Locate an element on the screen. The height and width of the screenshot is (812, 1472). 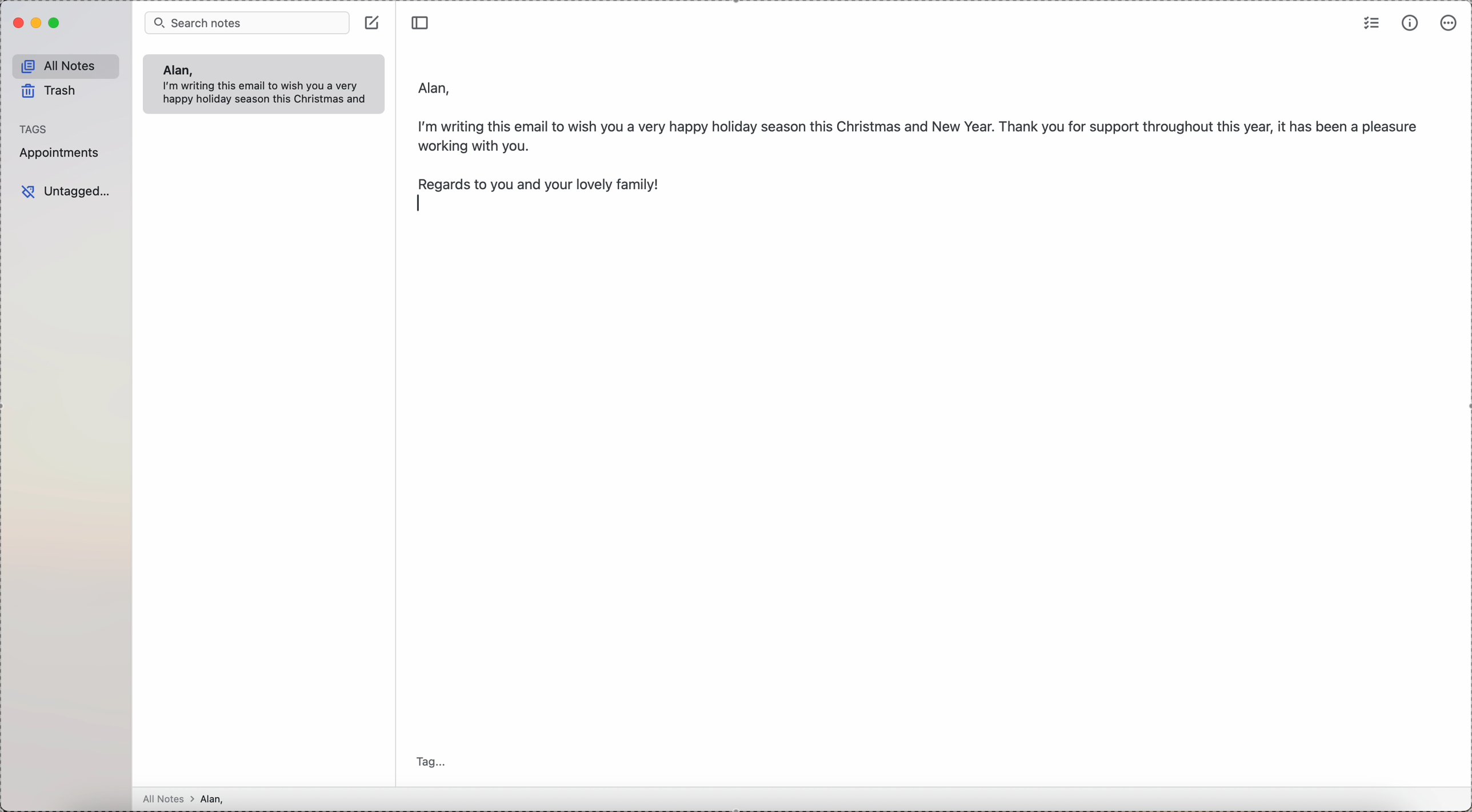
close program is located at coordinates (17, 23).